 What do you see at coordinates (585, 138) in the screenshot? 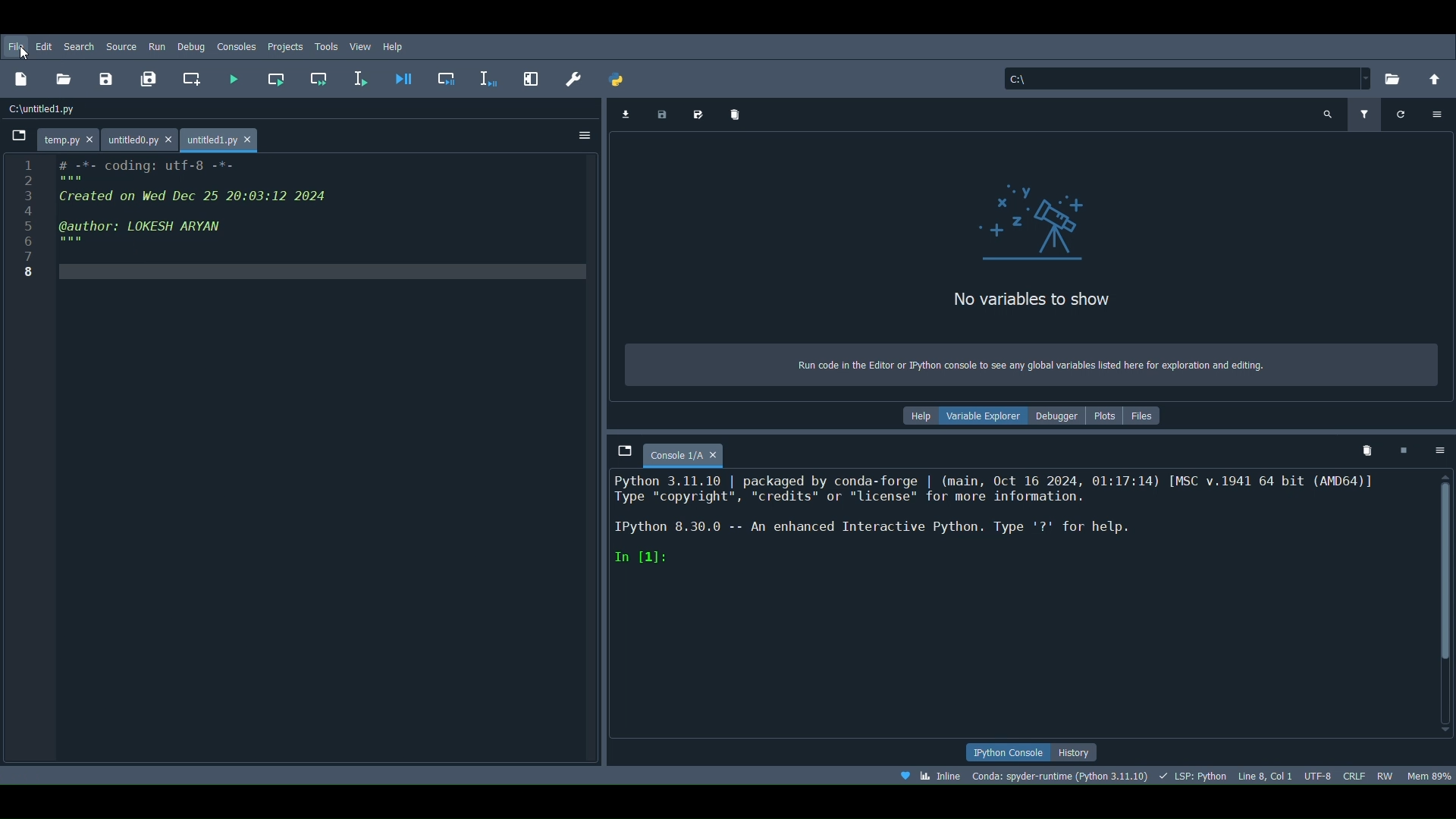
I see `Options` at bounding box center [585, 138].